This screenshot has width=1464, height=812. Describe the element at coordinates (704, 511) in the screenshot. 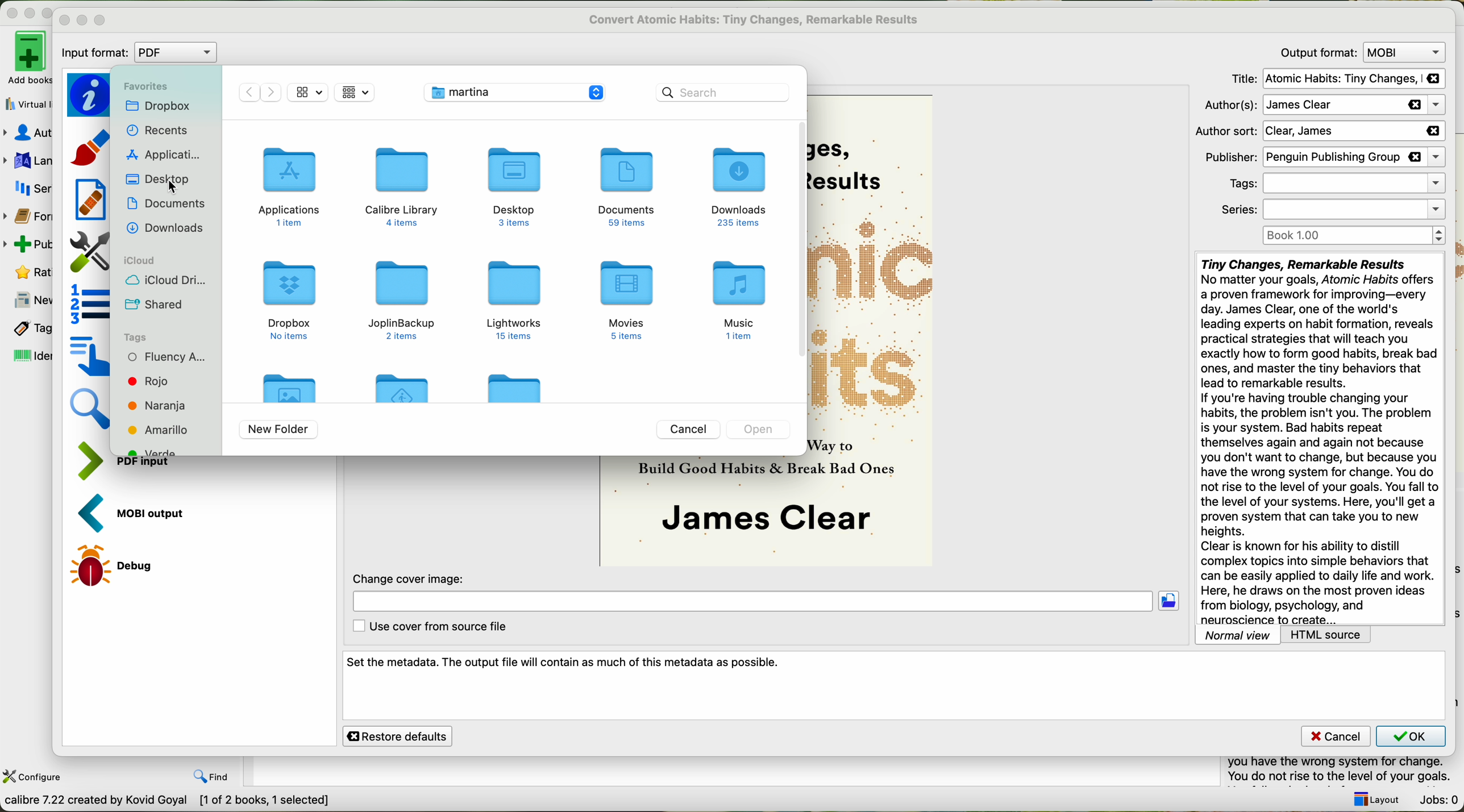

I see `book cover` at that location.